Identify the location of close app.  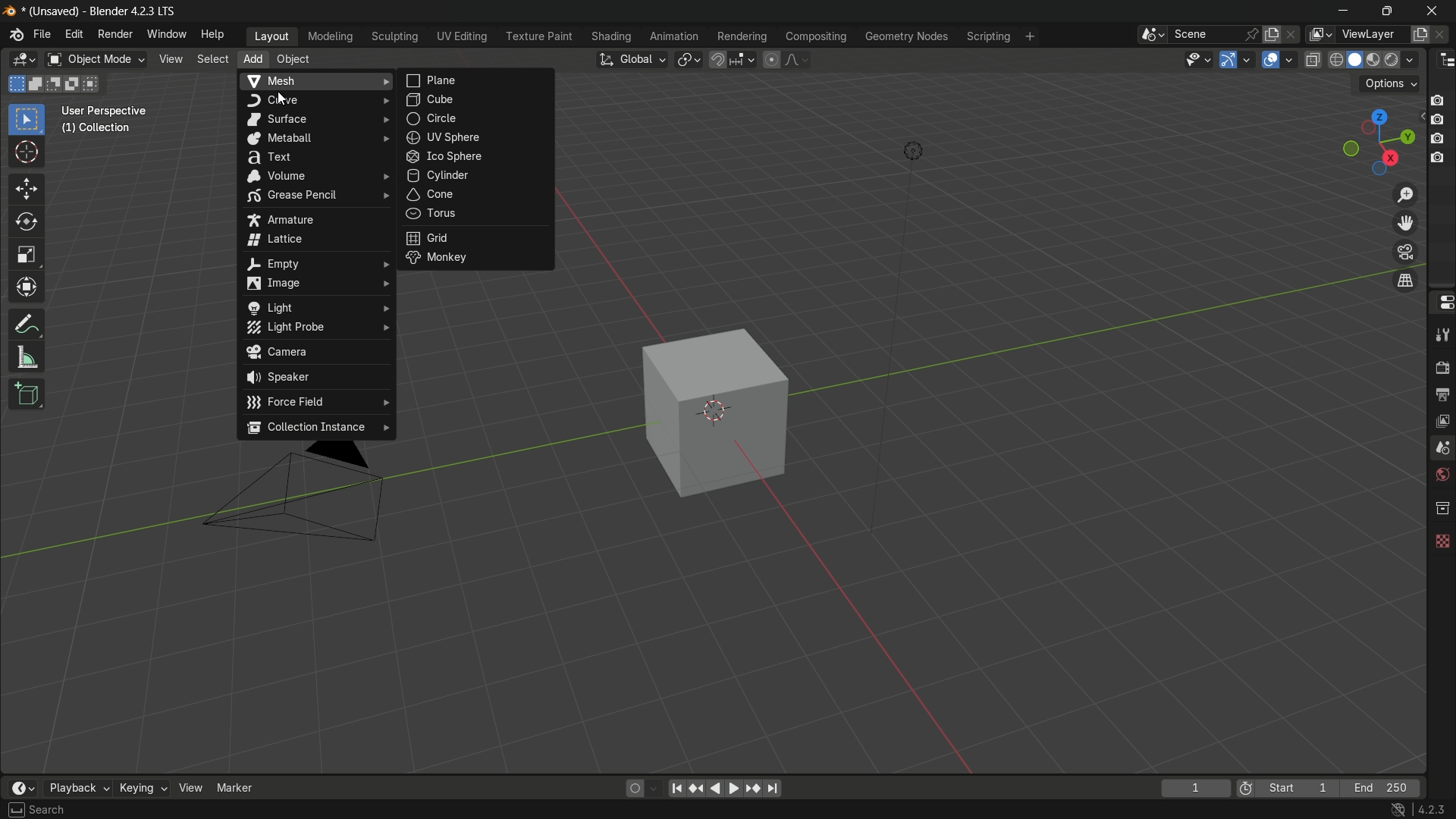
(1432, 11).